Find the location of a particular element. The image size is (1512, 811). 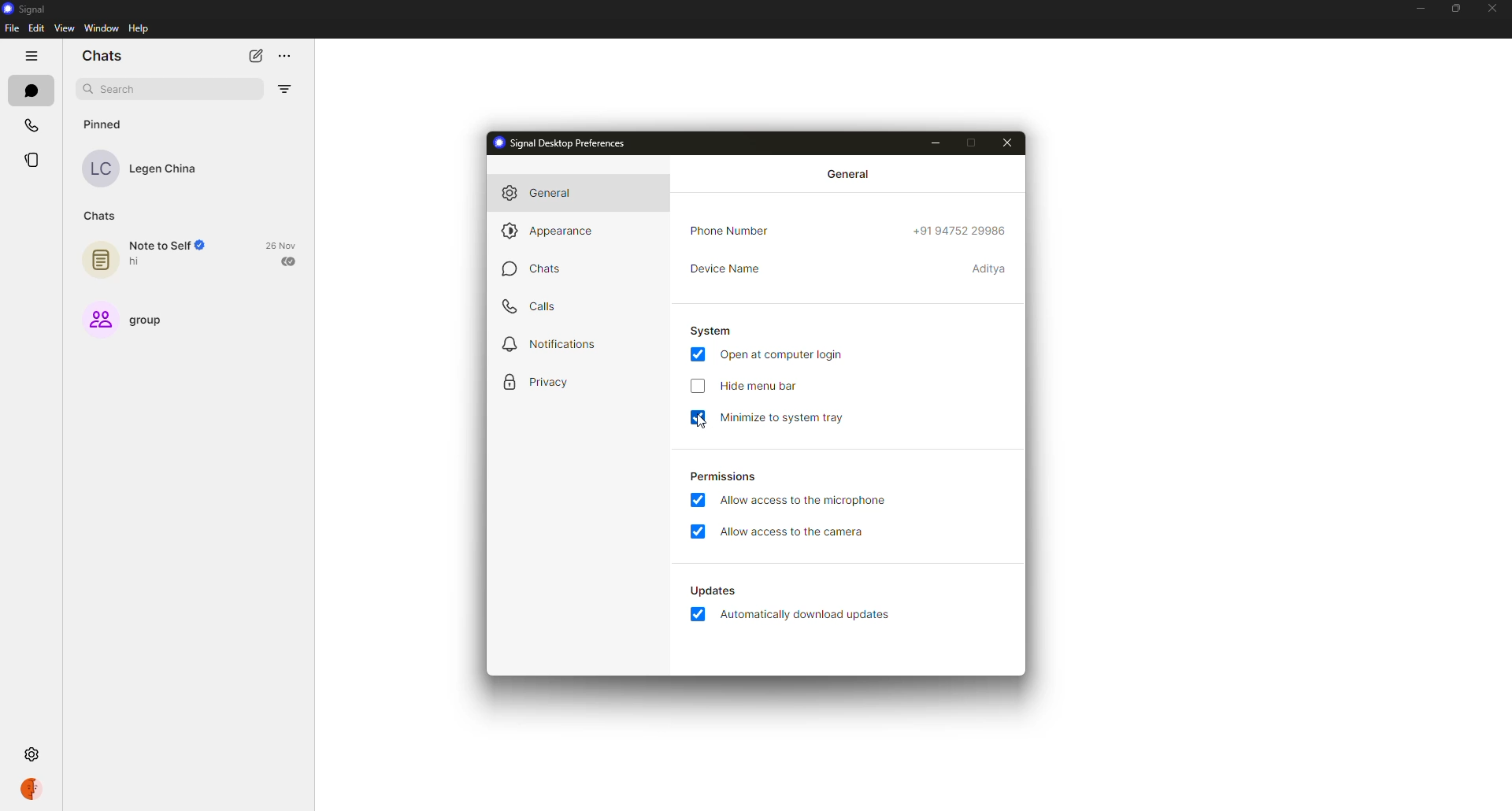

chats is located at coordinates (532, 271).